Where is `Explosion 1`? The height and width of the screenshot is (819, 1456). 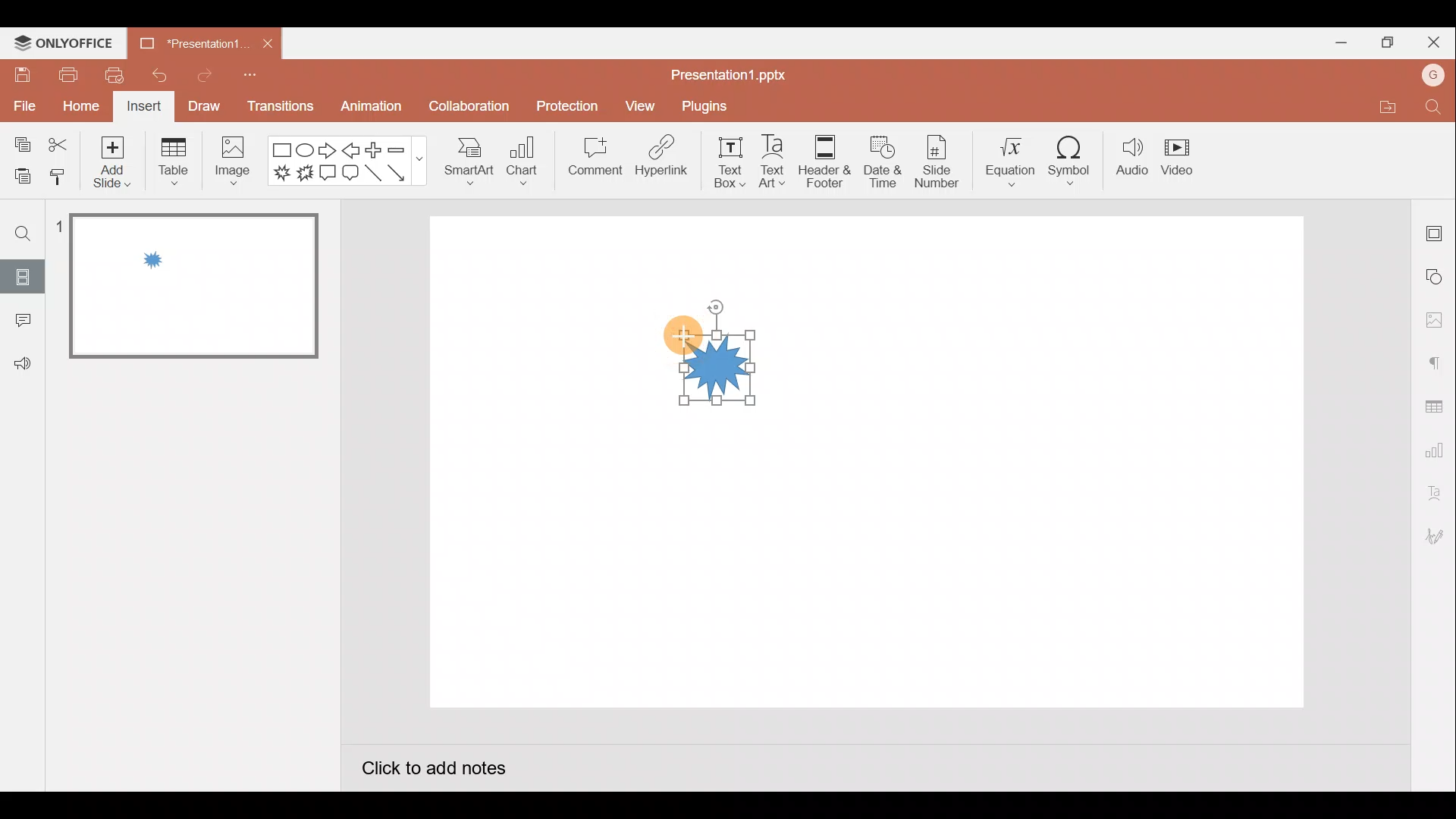 Explosion 1 is located at coordinates (279, 175).